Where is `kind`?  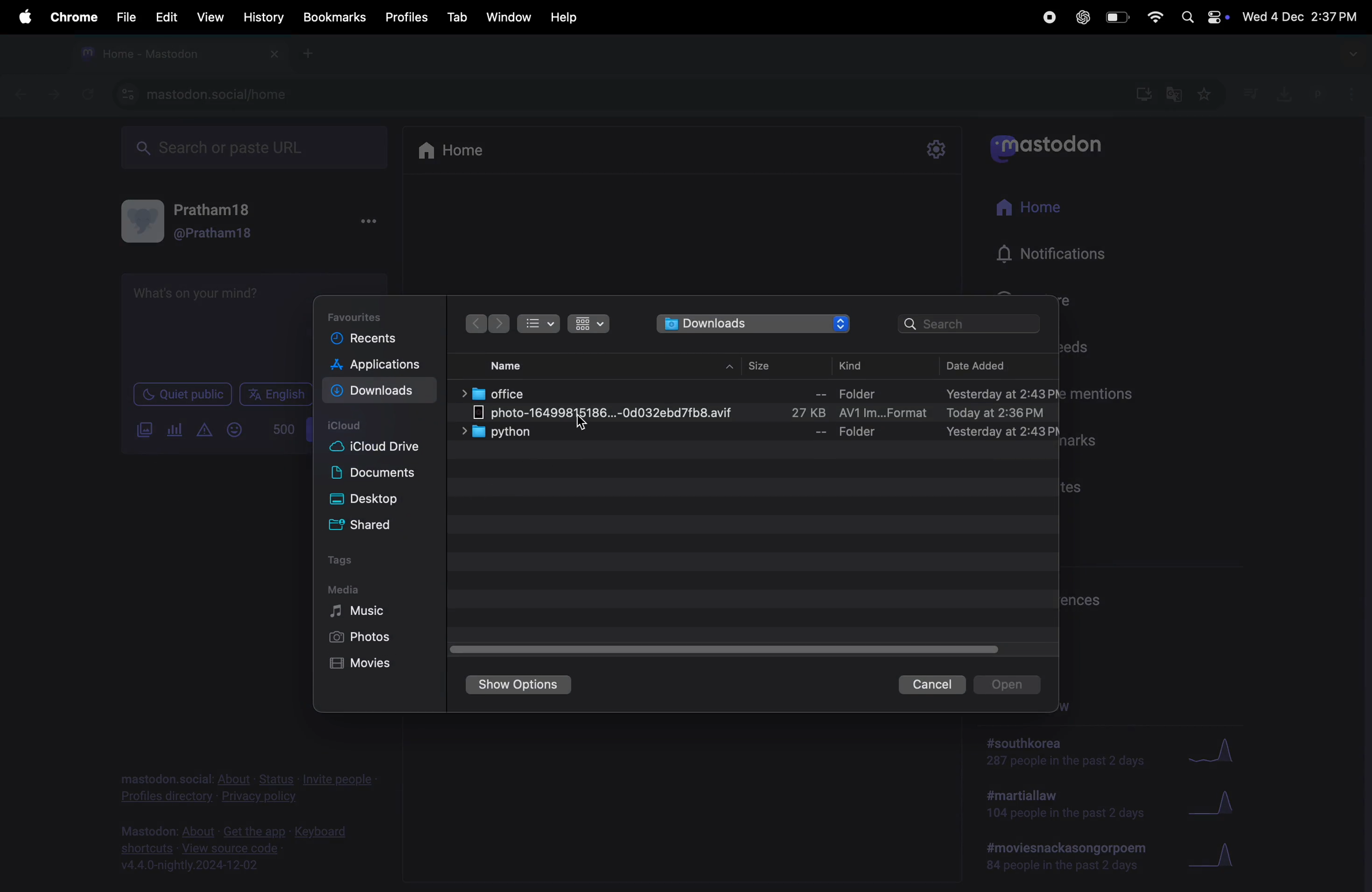 kind is located at coordinates (862, 364).